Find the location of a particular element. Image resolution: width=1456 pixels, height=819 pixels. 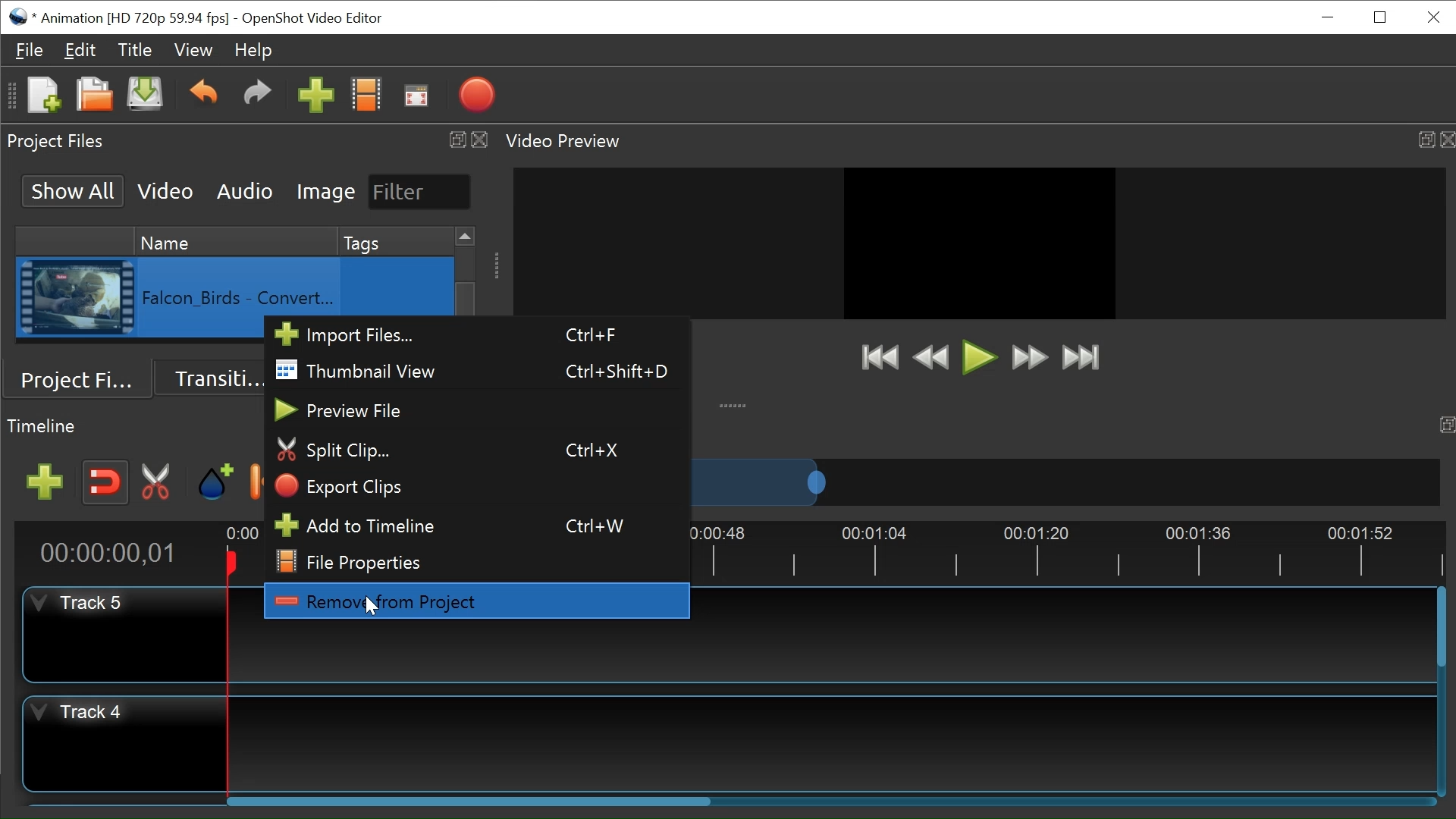

Horizontal Scroll bar is located at coordinates (470, 800).